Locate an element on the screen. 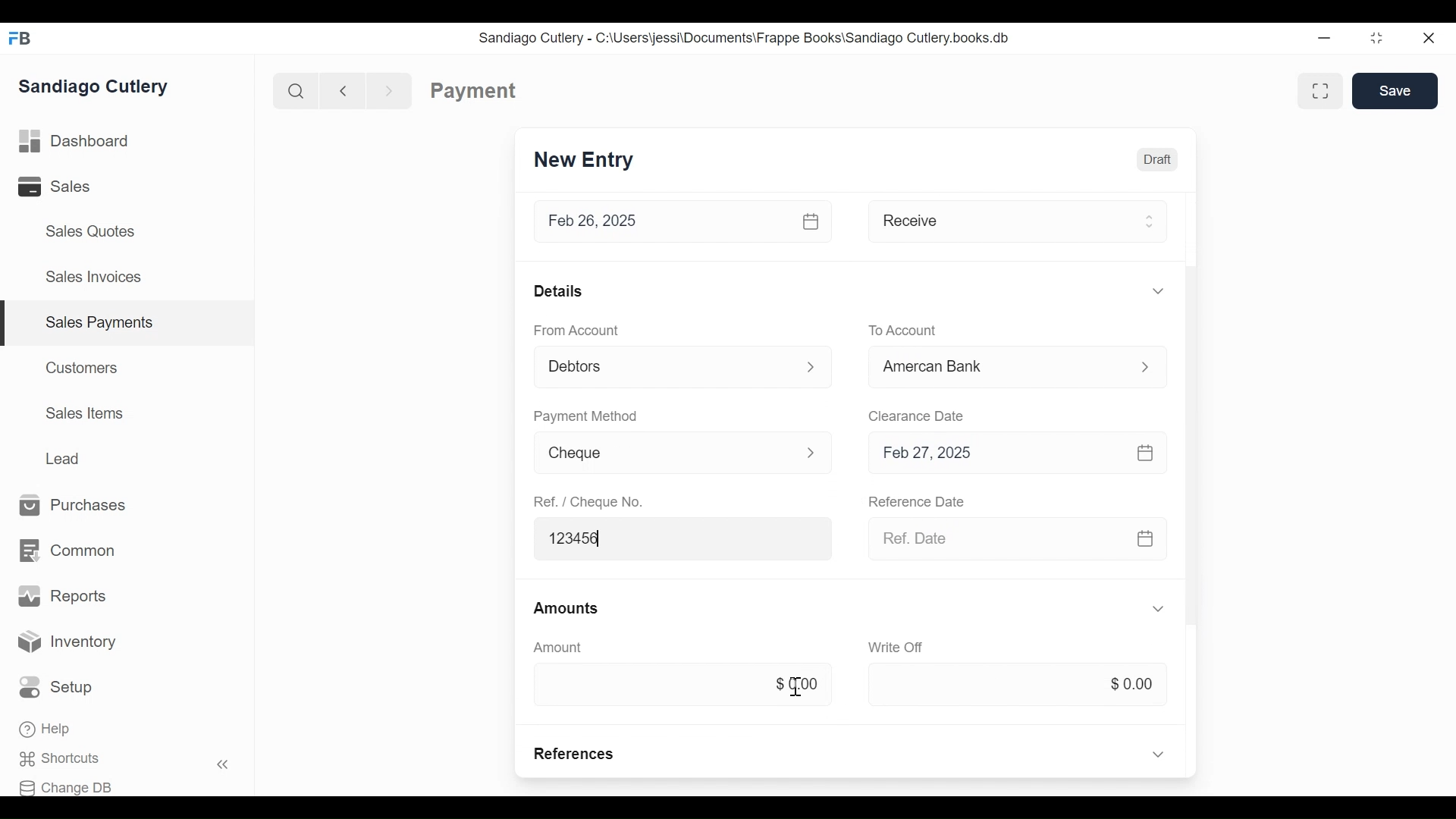 The width and height of the screenshot is (1456, 819). References is located at coordinates (576, 754).